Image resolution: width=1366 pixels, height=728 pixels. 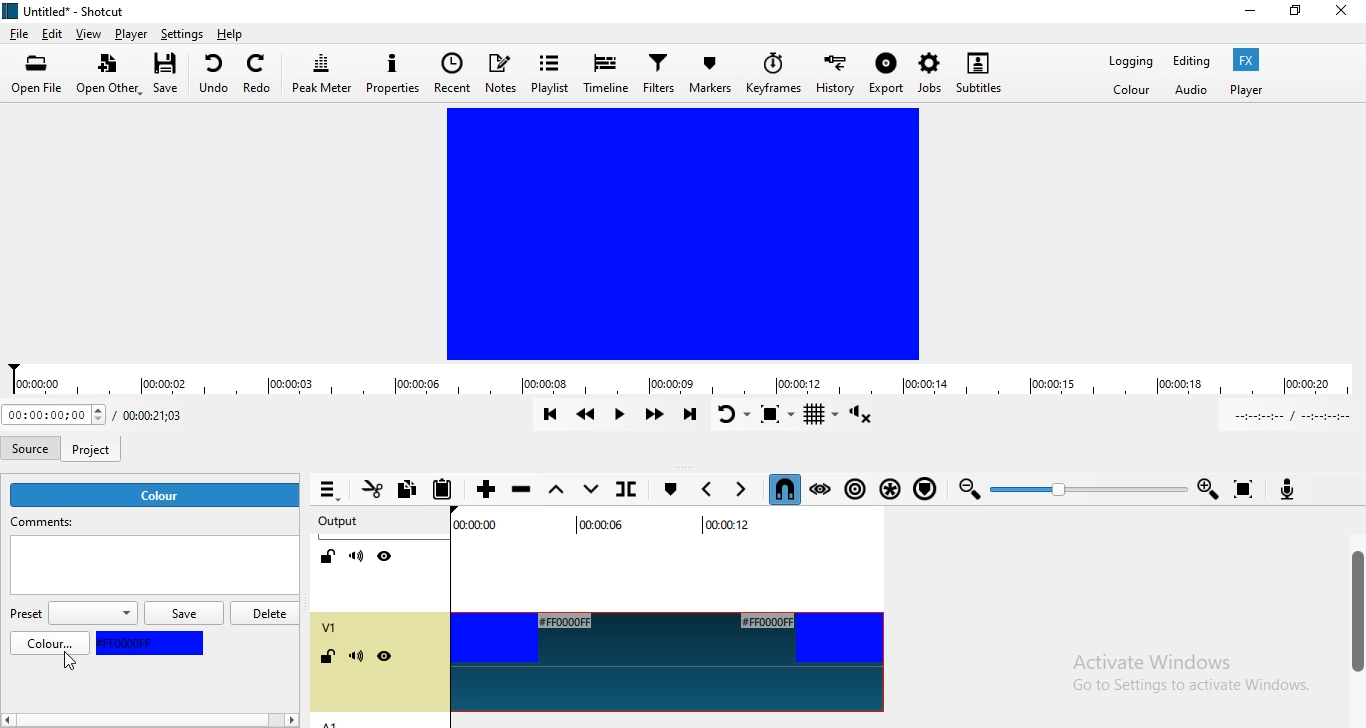 What do you see at coordinates (886, 77) in the screenshot?
I see `Export` at bounding box center [886, 77].